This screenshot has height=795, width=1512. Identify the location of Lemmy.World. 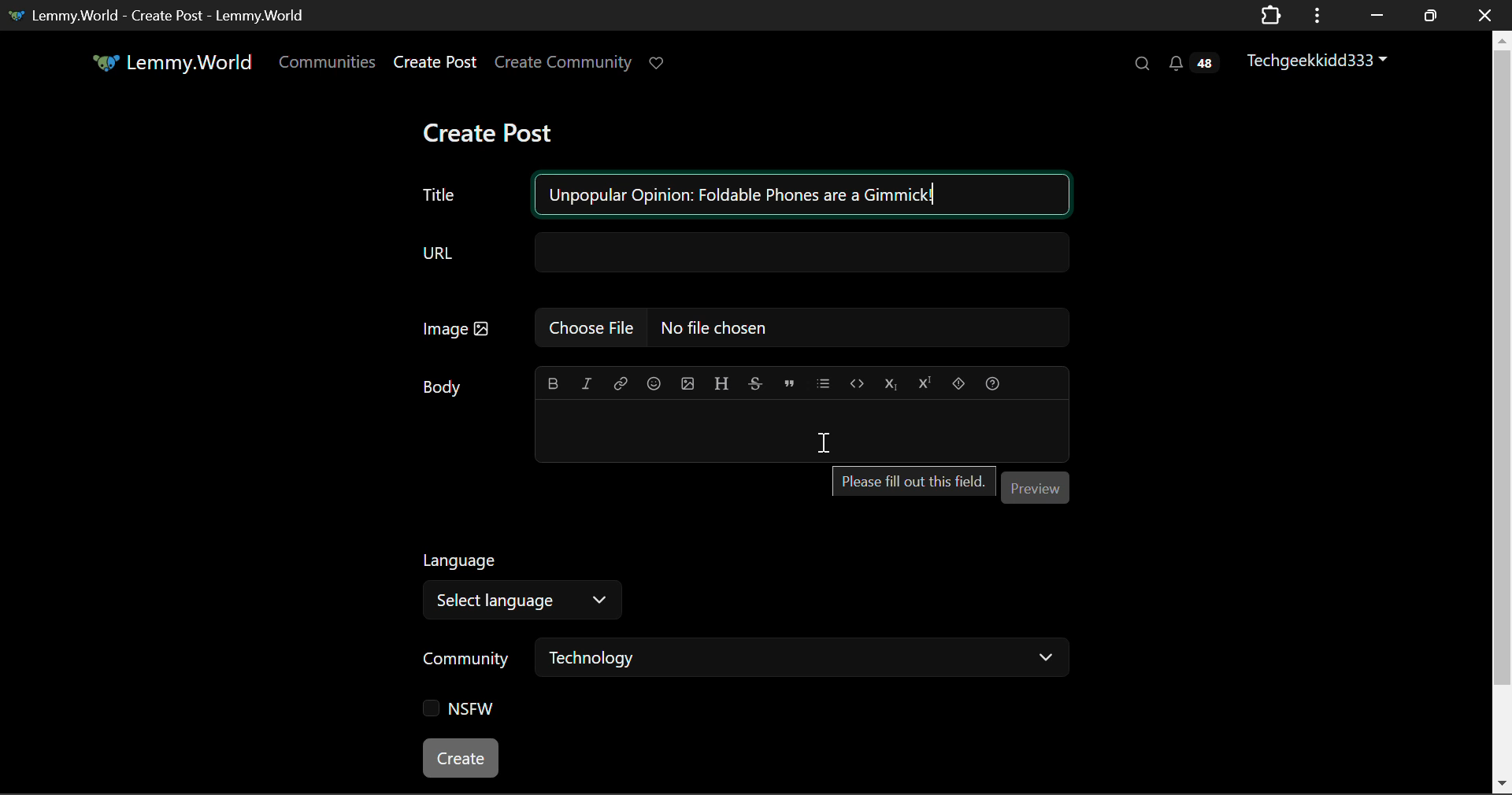
(175, 65).